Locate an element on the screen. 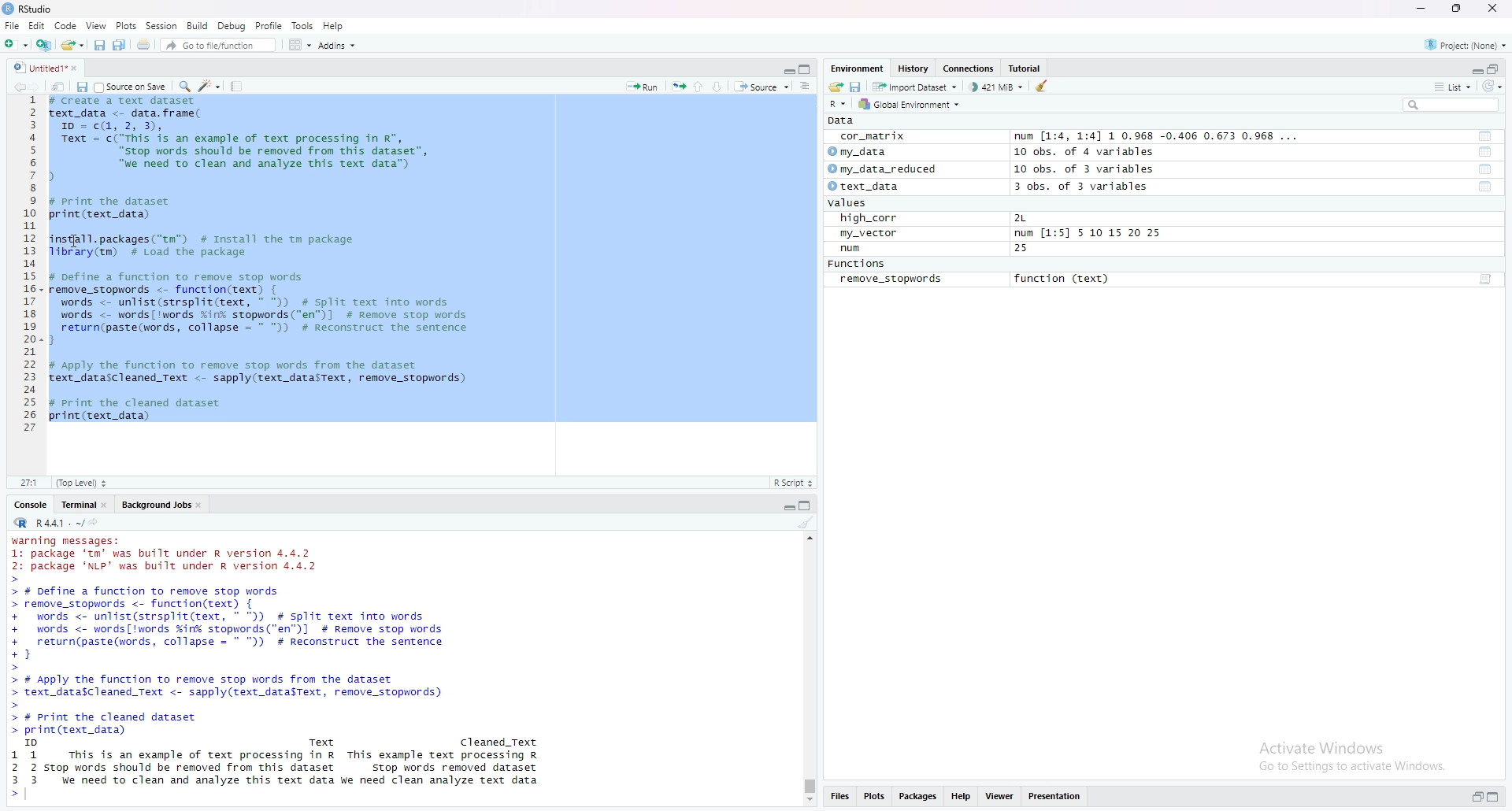 Image resolution: width=1512 pixels, height=811 pixels. connections is located at coordinates (971, 69).